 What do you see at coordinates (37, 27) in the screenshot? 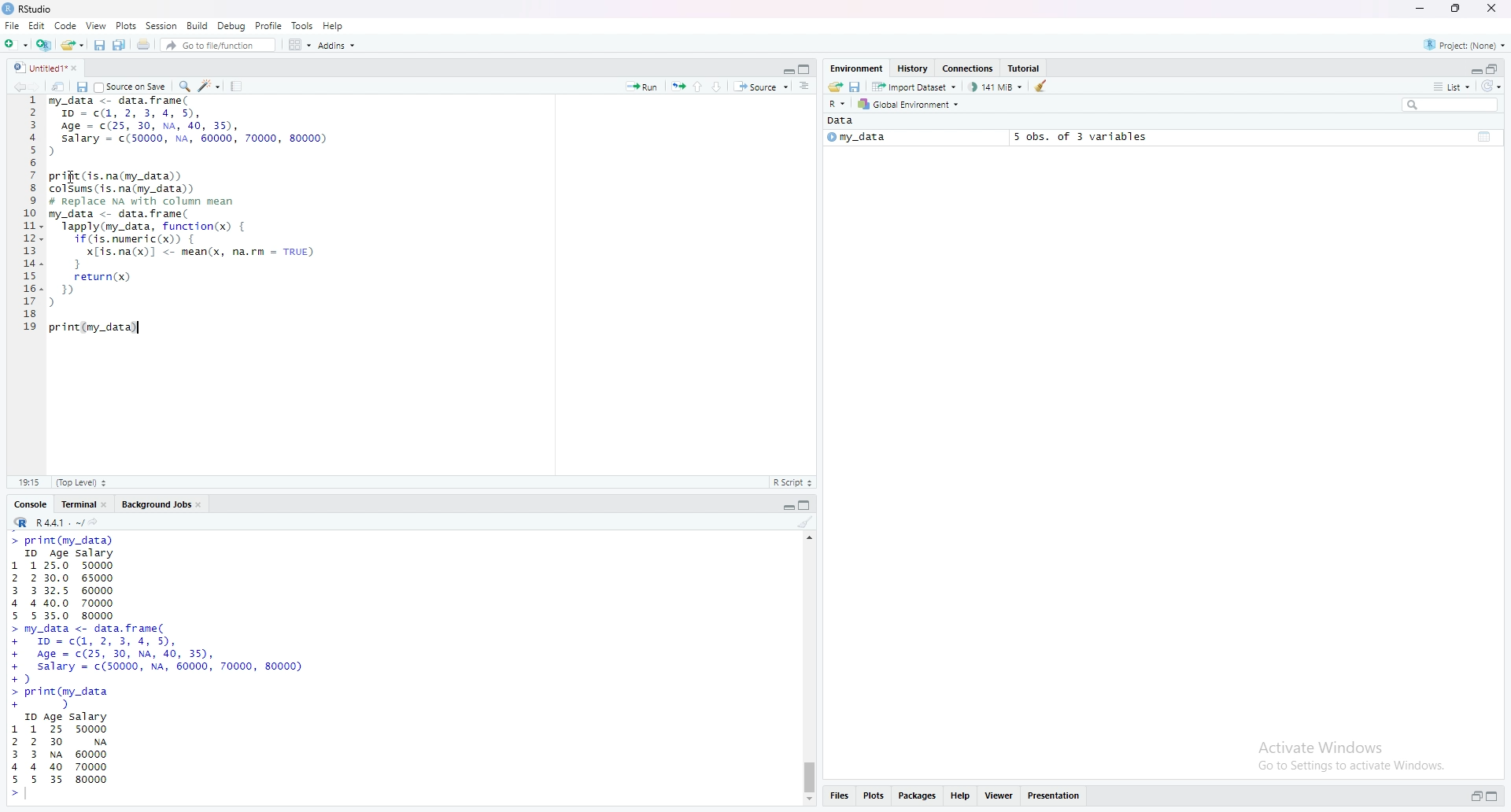
I see `Edit` at bounding box center [37, 27].